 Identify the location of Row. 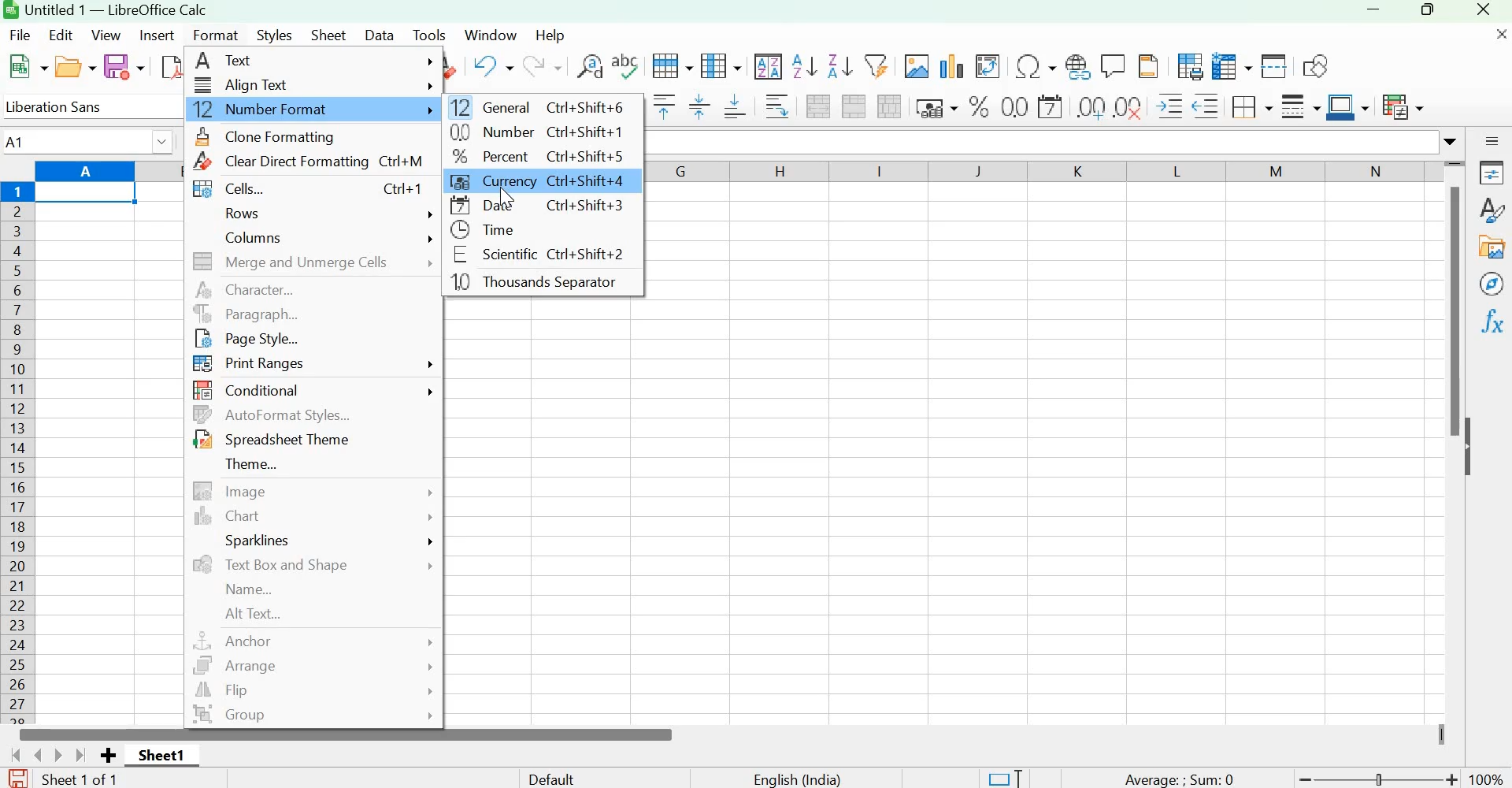
(673, 65).